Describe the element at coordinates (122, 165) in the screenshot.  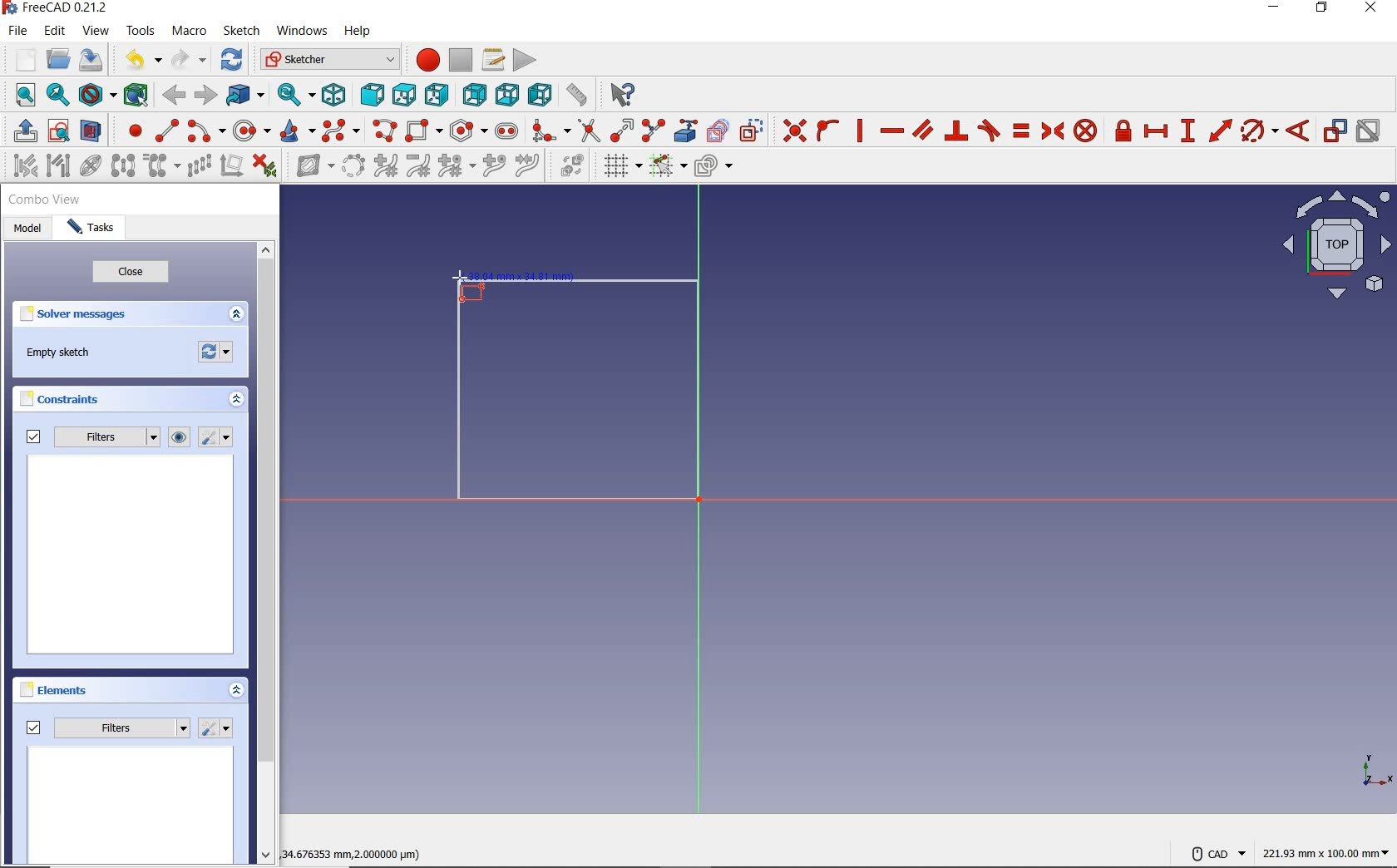
I see `symmetry` at that location.